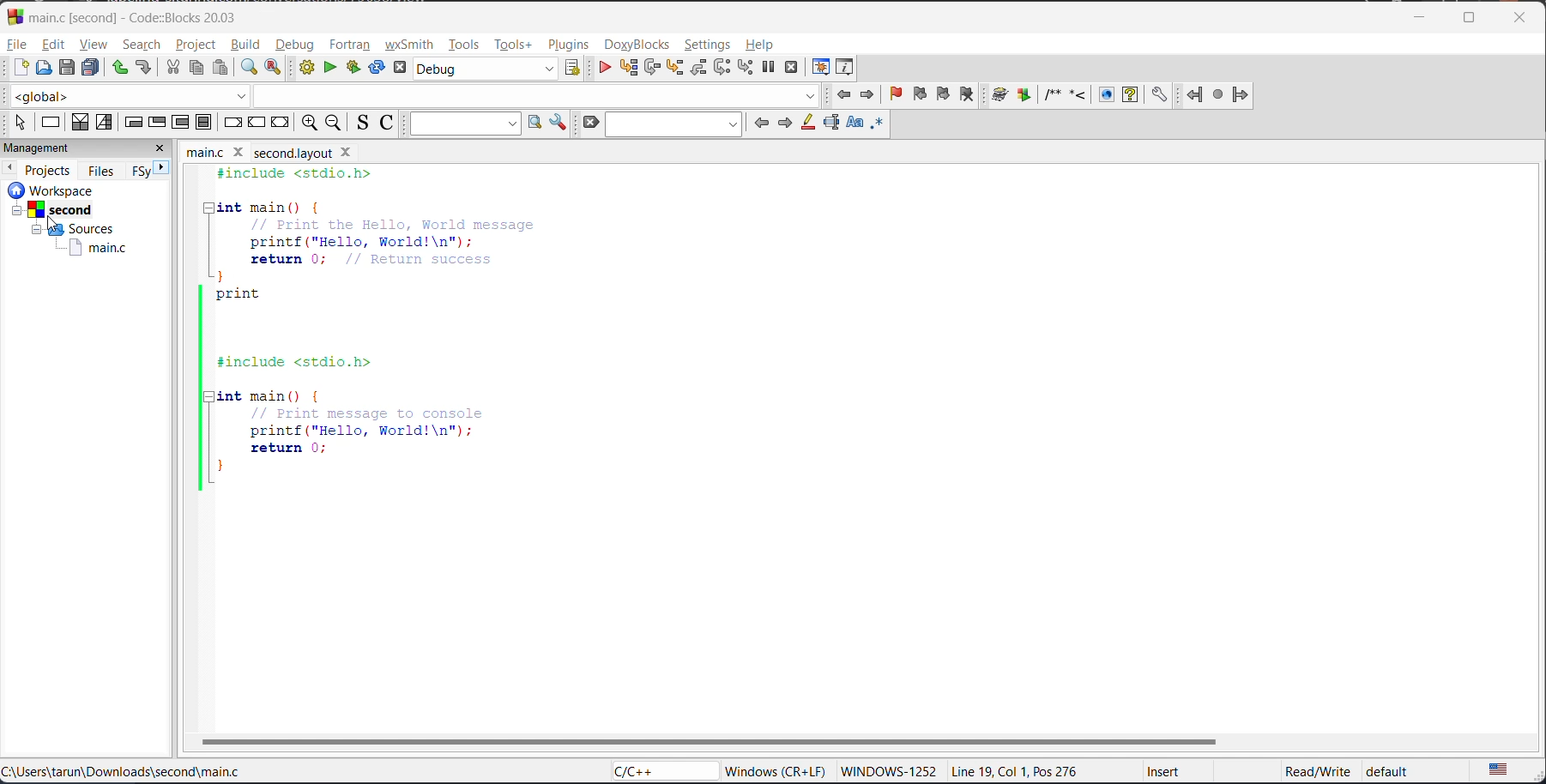 The image size is (1546, 784). Describe the element at coordinates (353, 66) in the screenshot. I see `build and run` at that location.